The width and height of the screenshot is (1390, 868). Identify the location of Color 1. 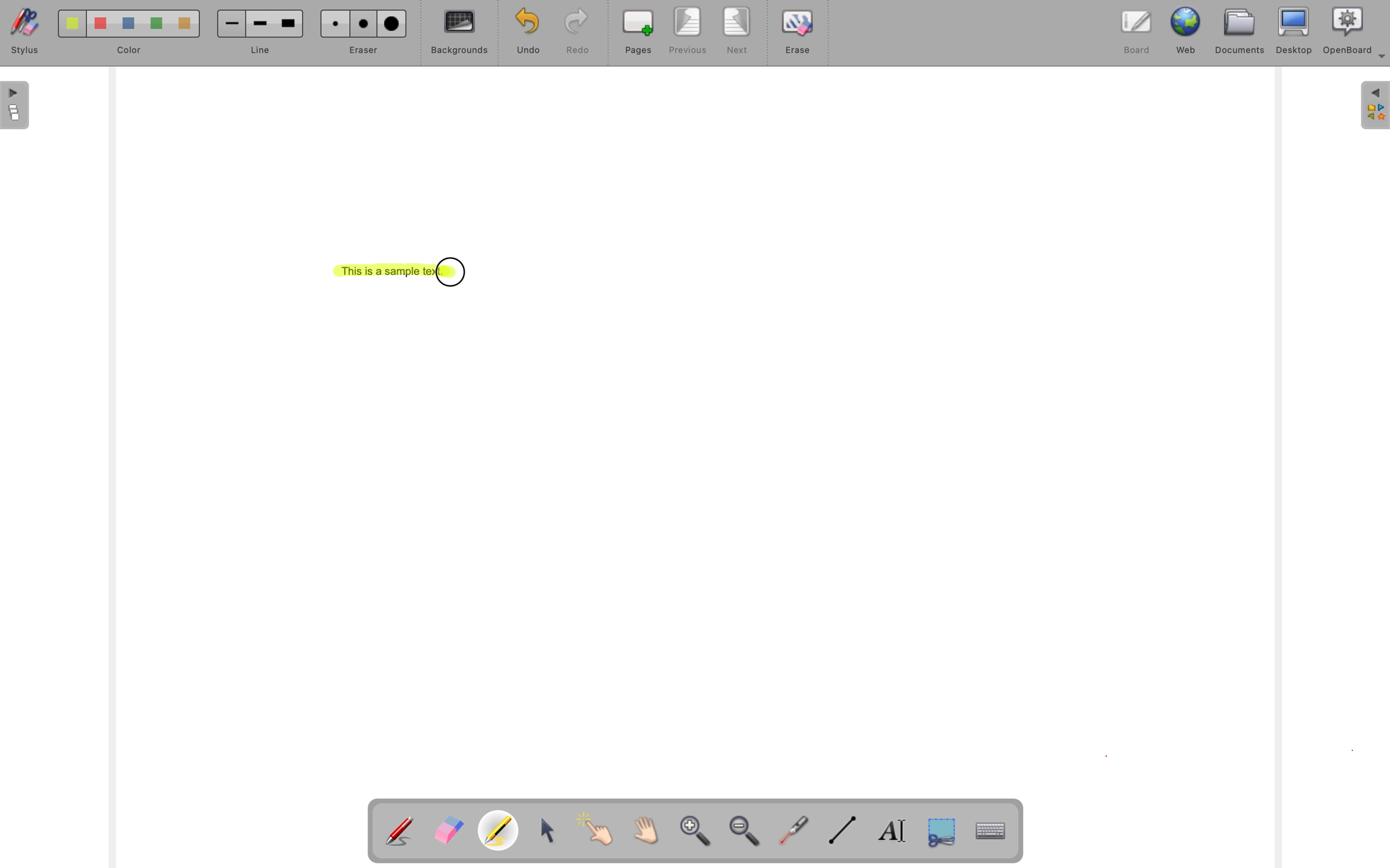
(74, 24).